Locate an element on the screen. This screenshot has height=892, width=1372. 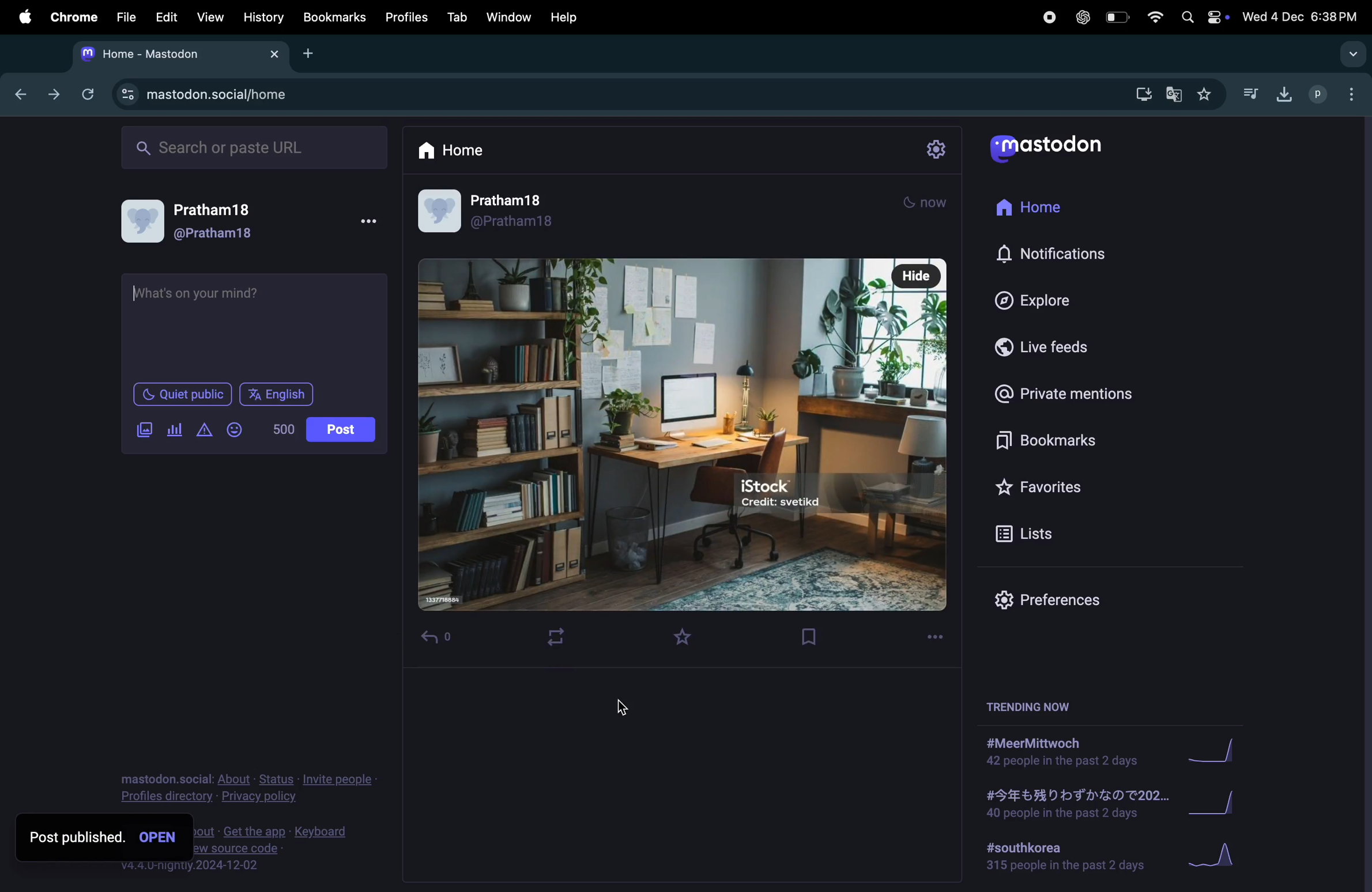
notification is located at coordinates (1061, 260).